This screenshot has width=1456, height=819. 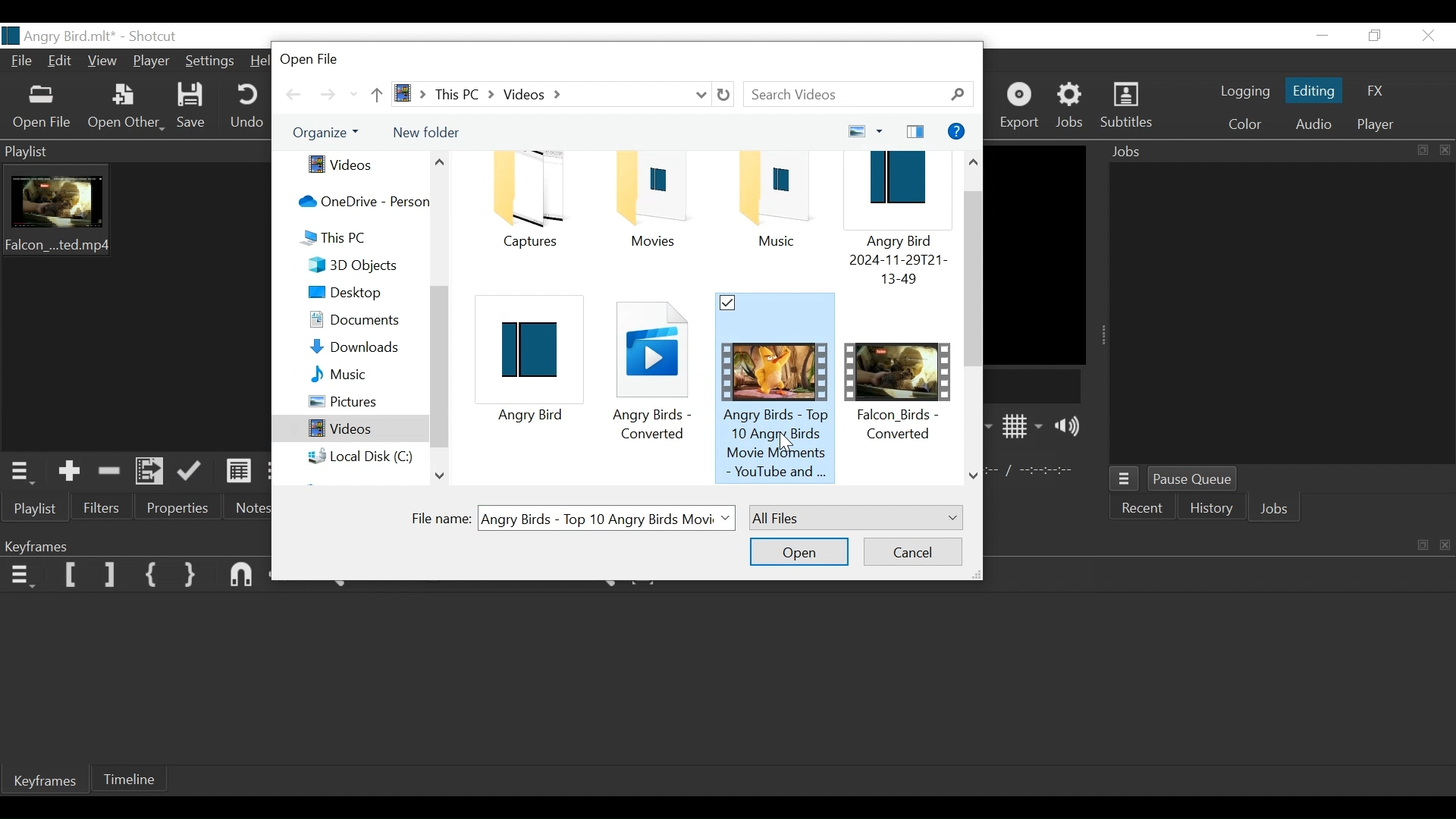 I want to click on In point, so click(x=1032, y=472).